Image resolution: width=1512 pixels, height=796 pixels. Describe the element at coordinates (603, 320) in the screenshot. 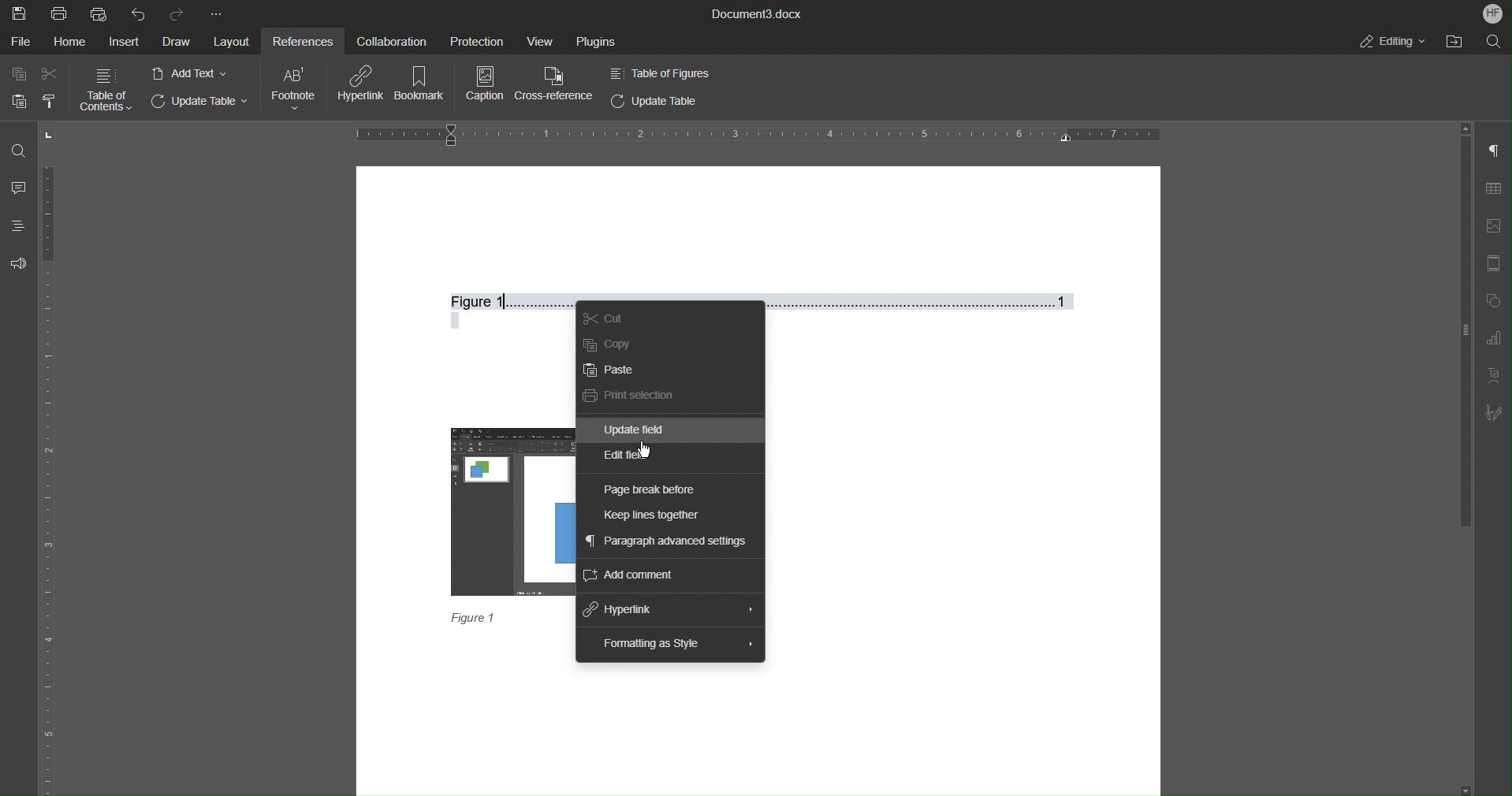

I see `Cut` at that location.